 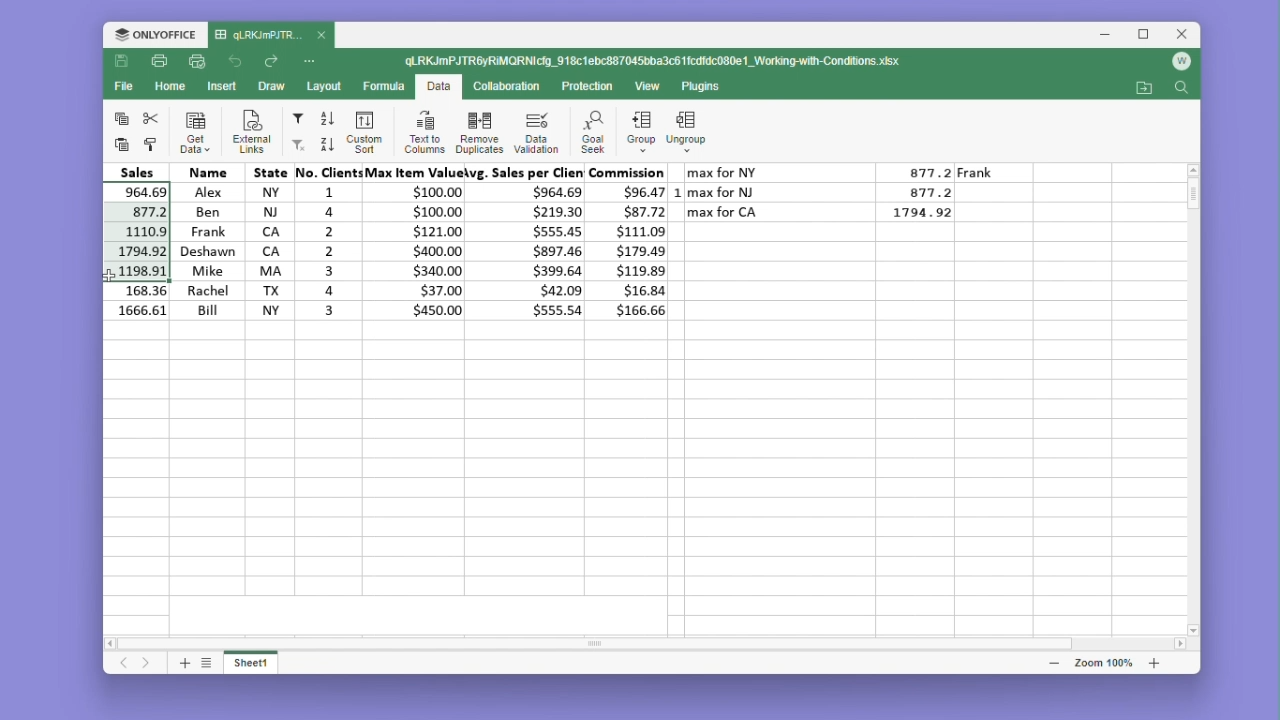 I want to click on Protection, so click(x=582, y=87).